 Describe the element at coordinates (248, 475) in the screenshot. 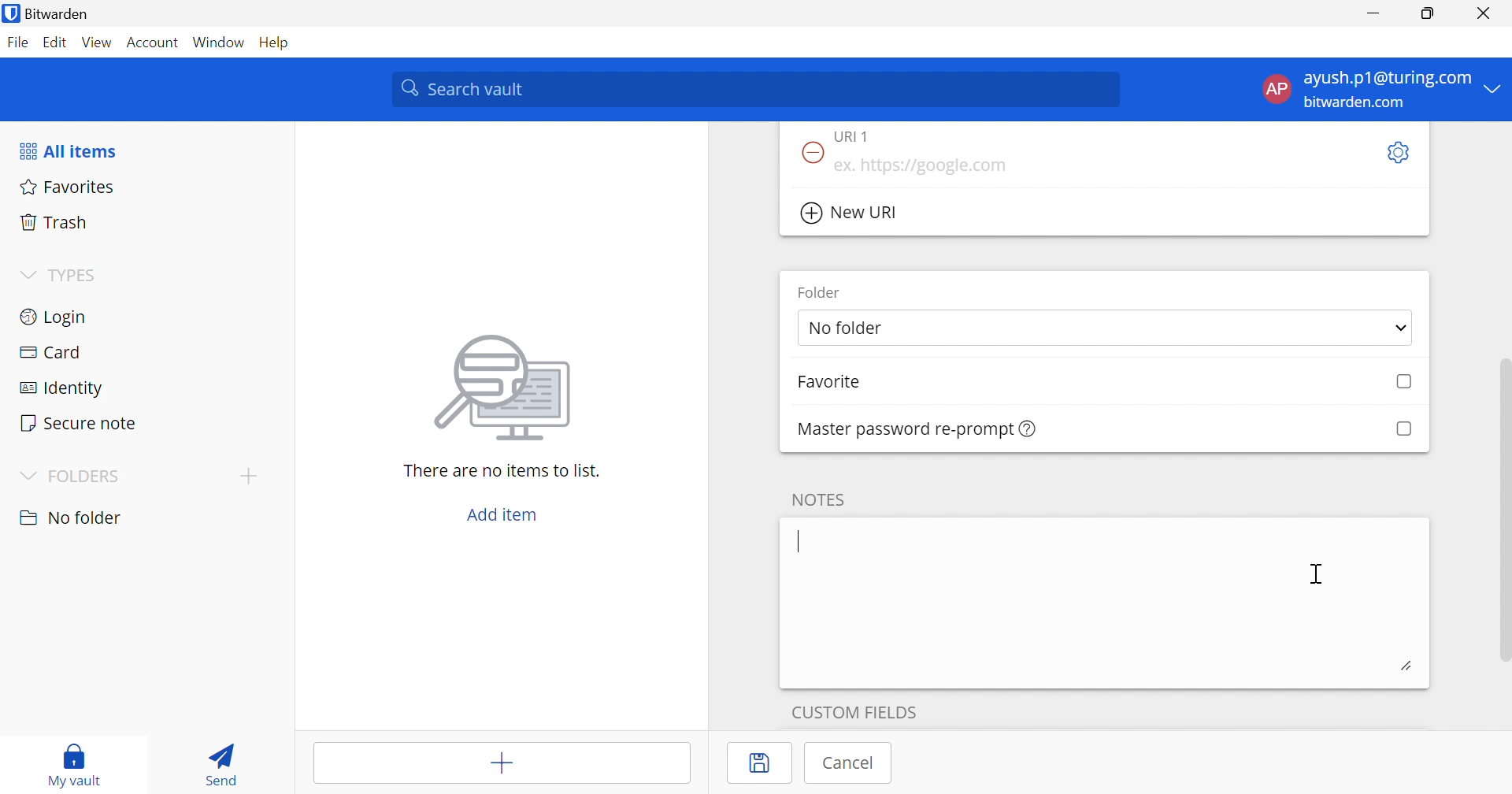

I see `Drop Down` at that location.